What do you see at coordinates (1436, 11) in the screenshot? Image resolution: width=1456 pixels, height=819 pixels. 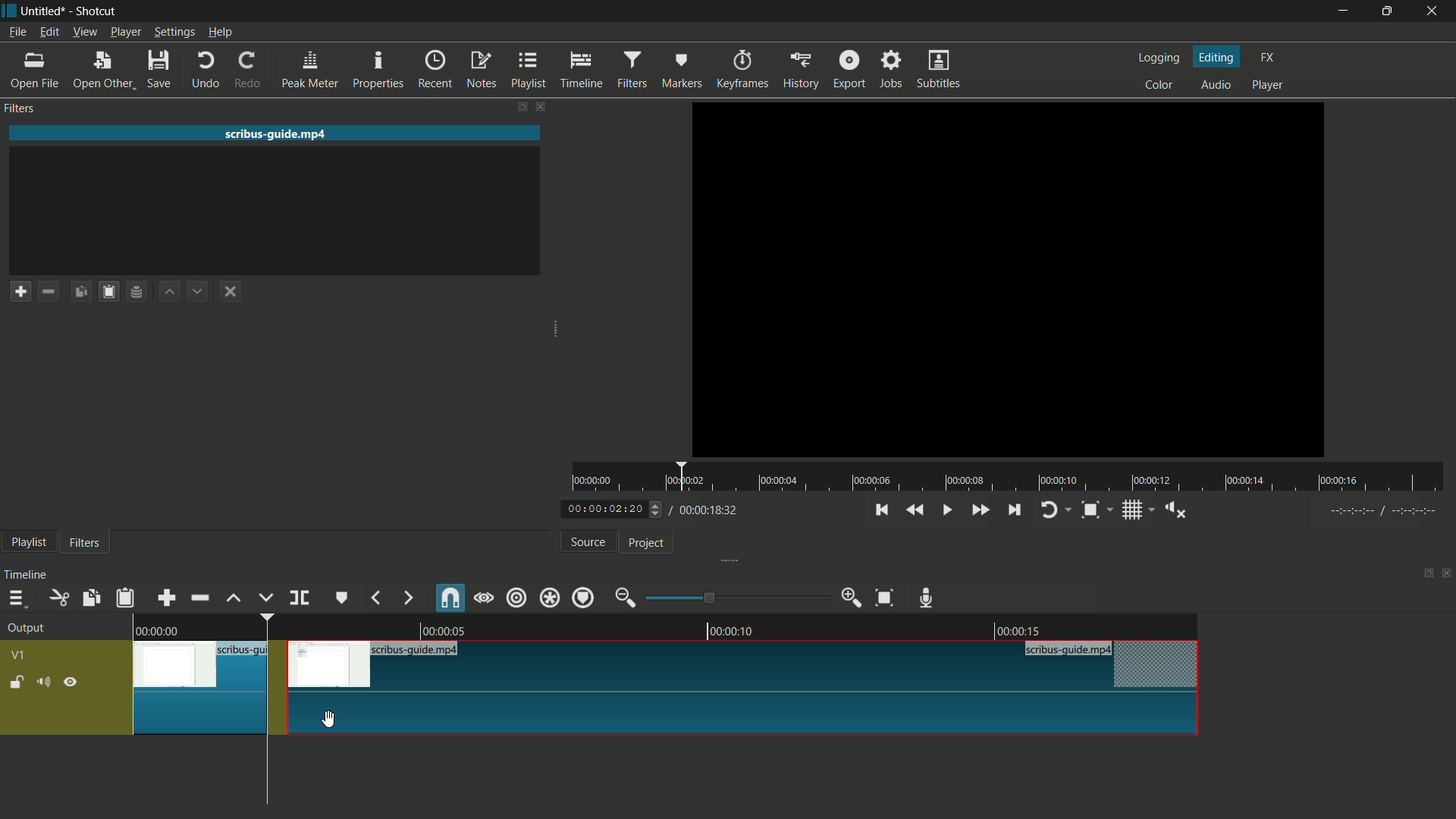 I see `close app` at bounding box center [1436, 11].